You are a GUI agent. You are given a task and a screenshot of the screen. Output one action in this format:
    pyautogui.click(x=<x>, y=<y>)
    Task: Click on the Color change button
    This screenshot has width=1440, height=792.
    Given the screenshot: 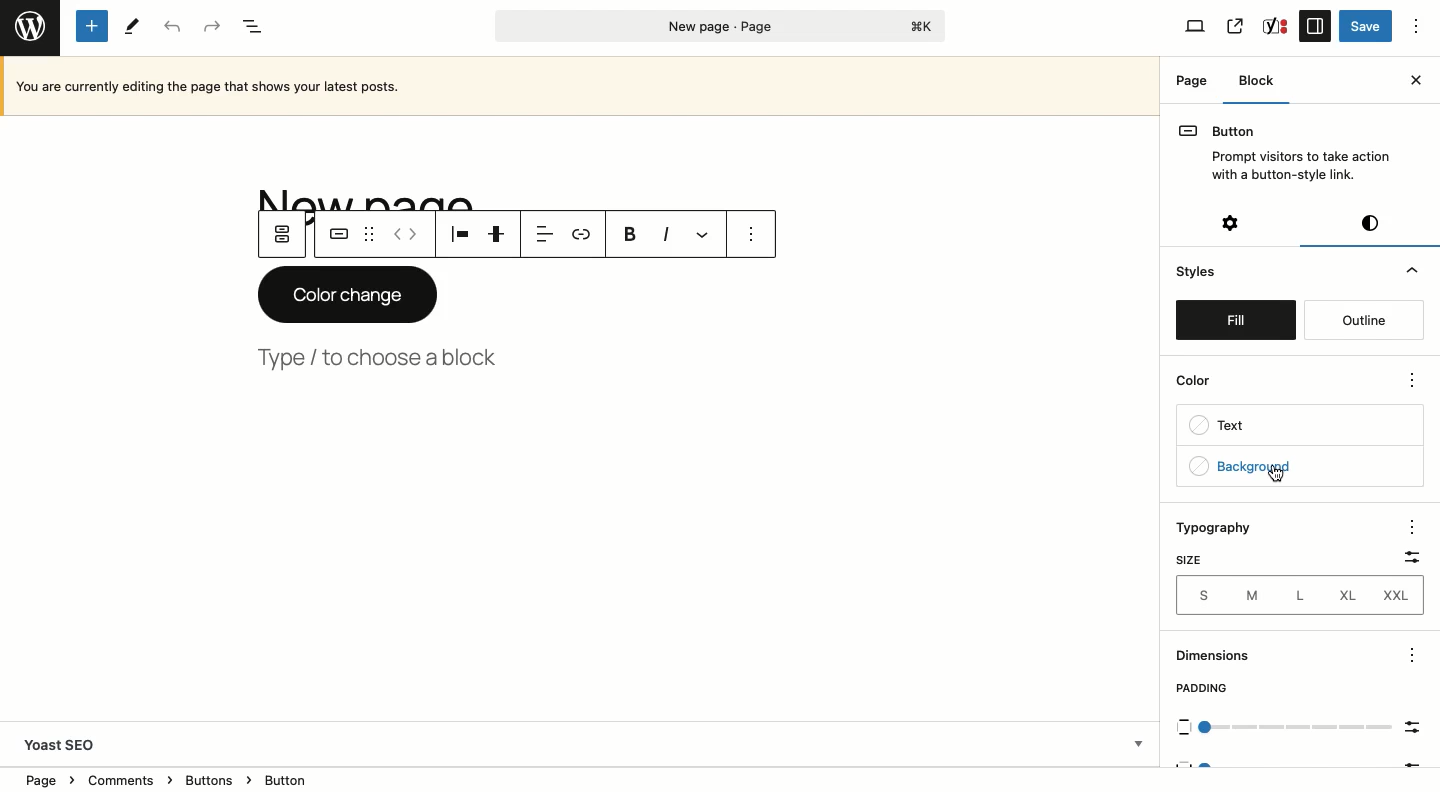 What is the action you would take?
    pyautogui.click(x=346, y=295)
    